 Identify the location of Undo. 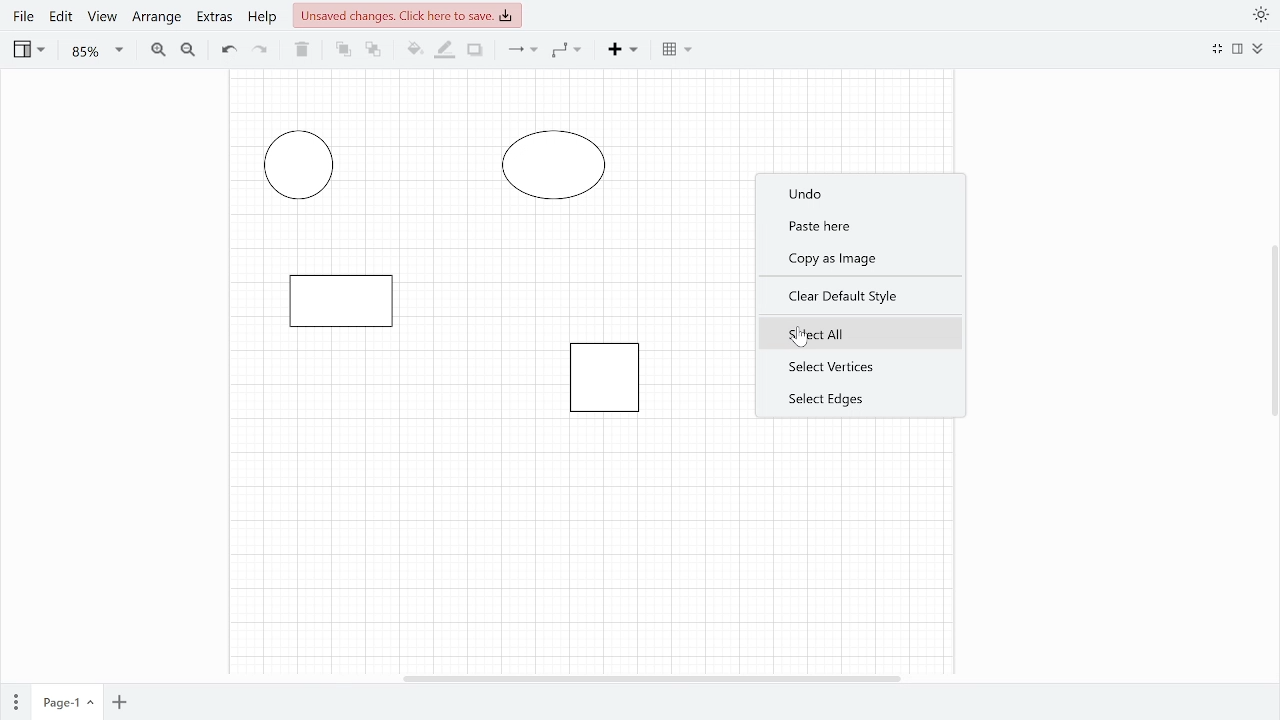
(854, 195).